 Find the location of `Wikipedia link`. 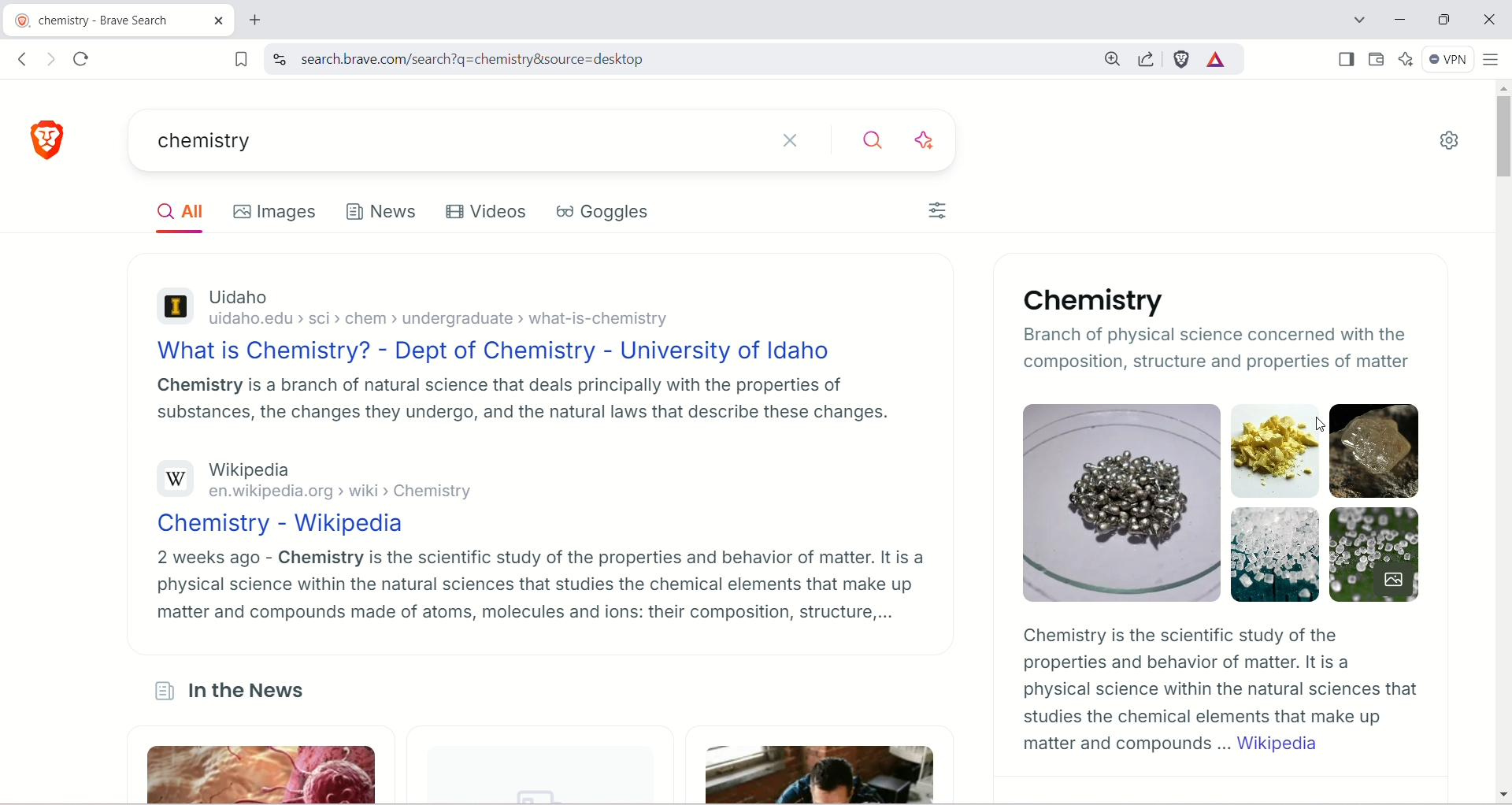

Wikipedia link is located at coordinates (1280, 744).